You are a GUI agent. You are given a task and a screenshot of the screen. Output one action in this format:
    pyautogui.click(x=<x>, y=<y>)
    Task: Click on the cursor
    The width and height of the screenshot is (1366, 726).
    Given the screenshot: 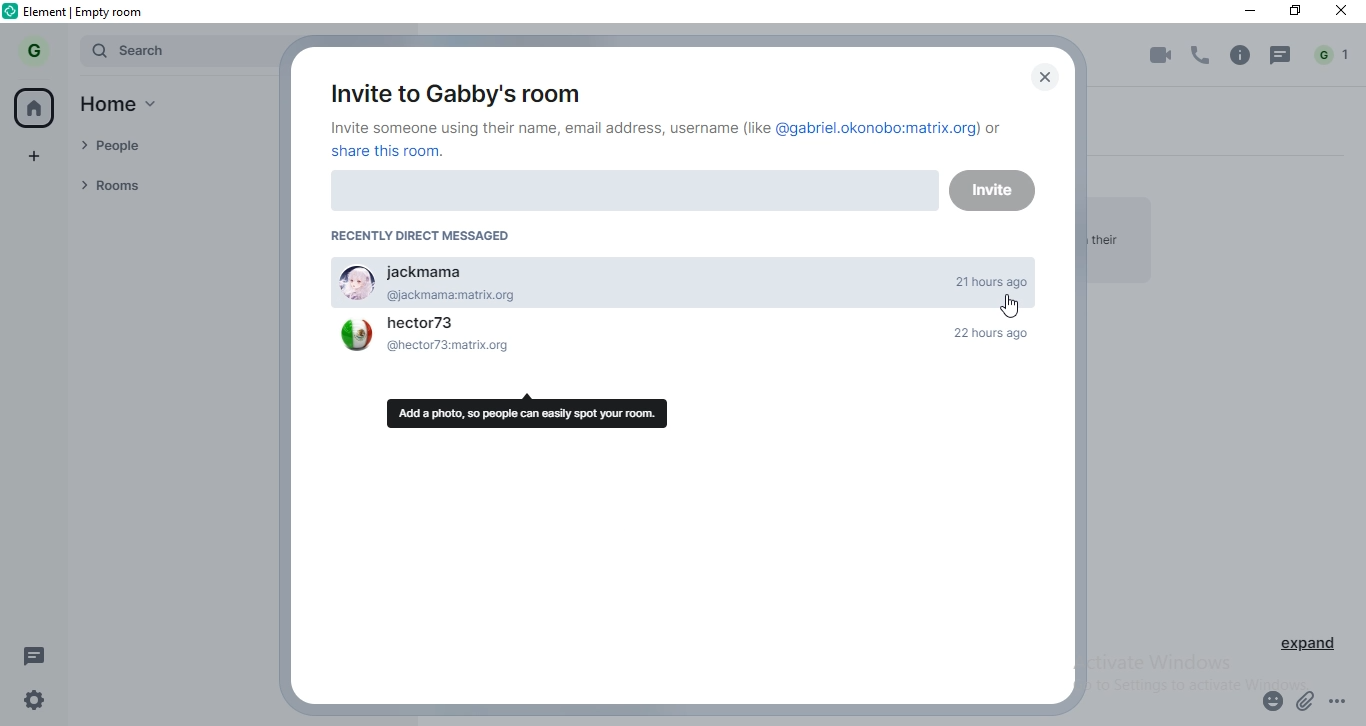 What is the action you would take?
    pyautogui.click(x=1012, y=308)
    